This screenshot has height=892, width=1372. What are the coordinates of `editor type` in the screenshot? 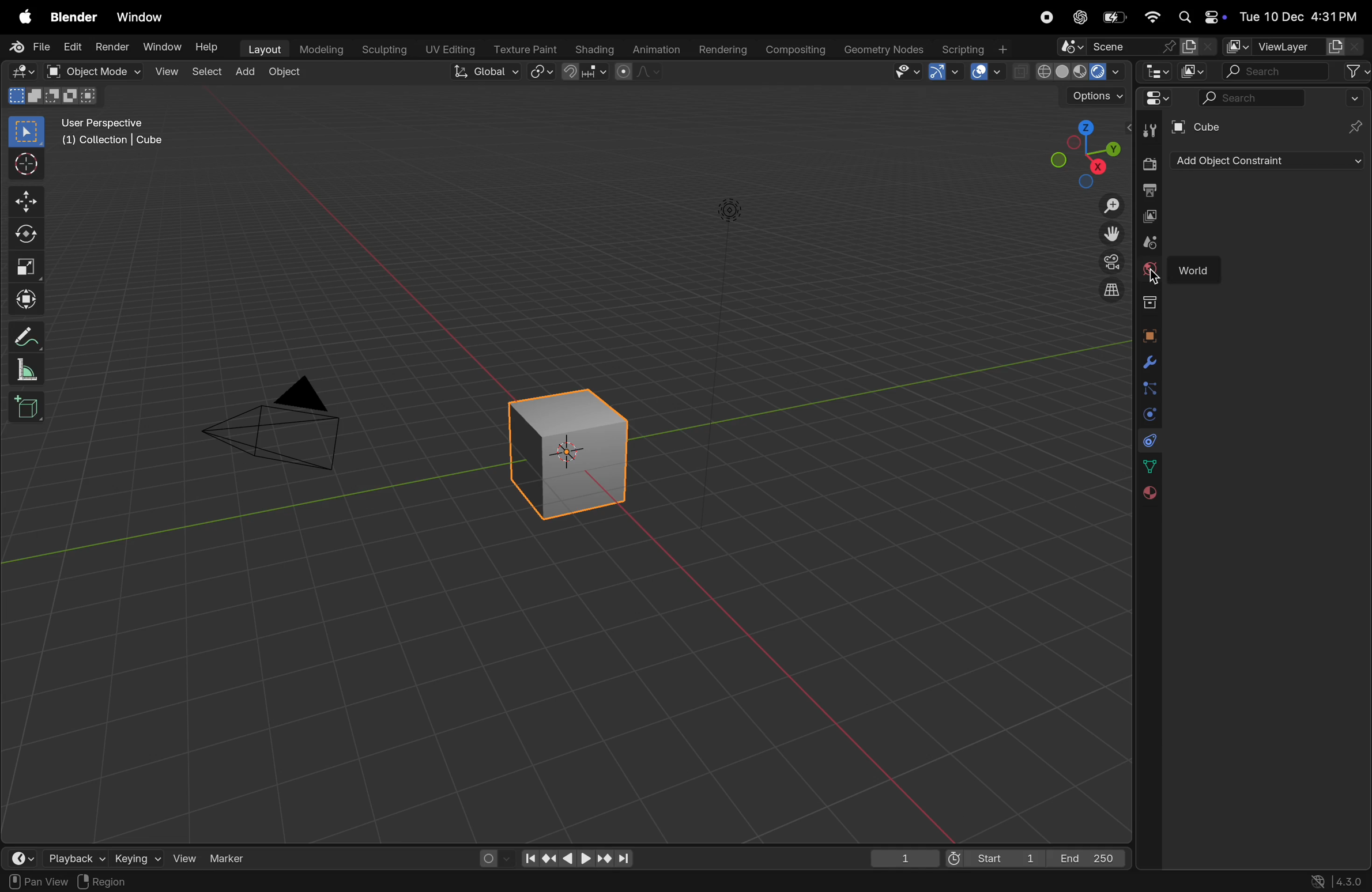 It's located at (25, 72).